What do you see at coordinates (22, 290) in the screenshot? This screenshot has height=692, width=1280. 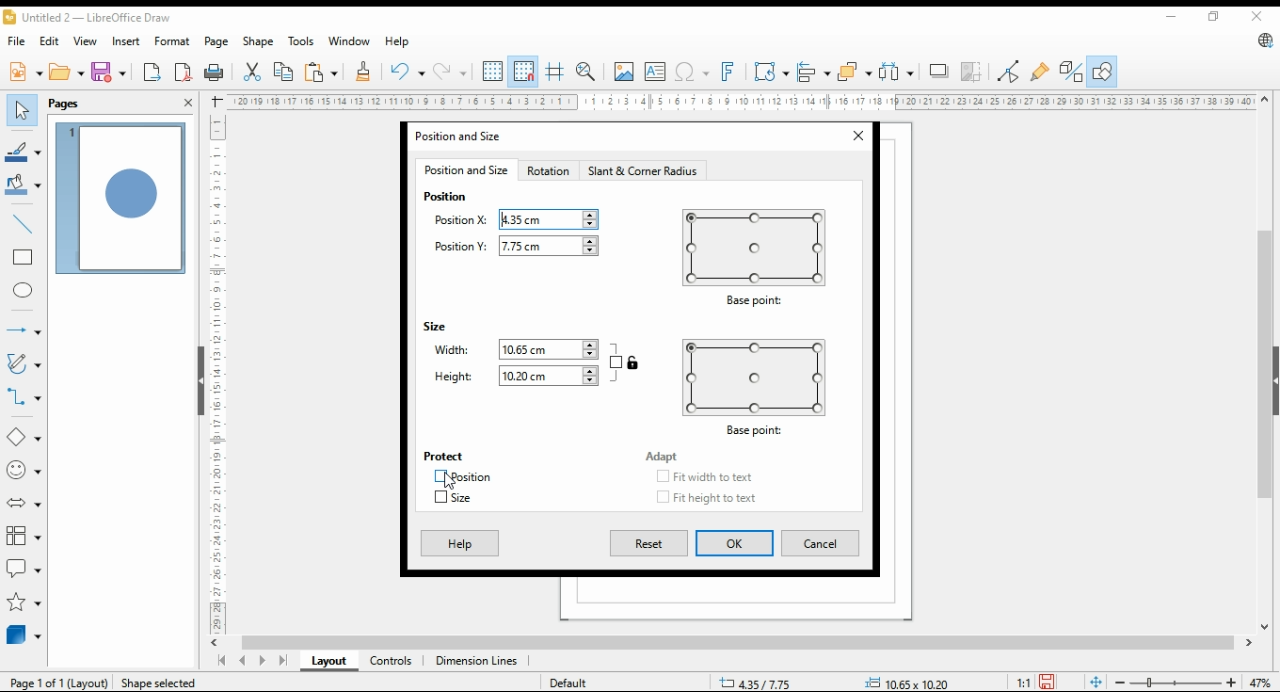 I see `ellipse` at bounding box center [22, 290].